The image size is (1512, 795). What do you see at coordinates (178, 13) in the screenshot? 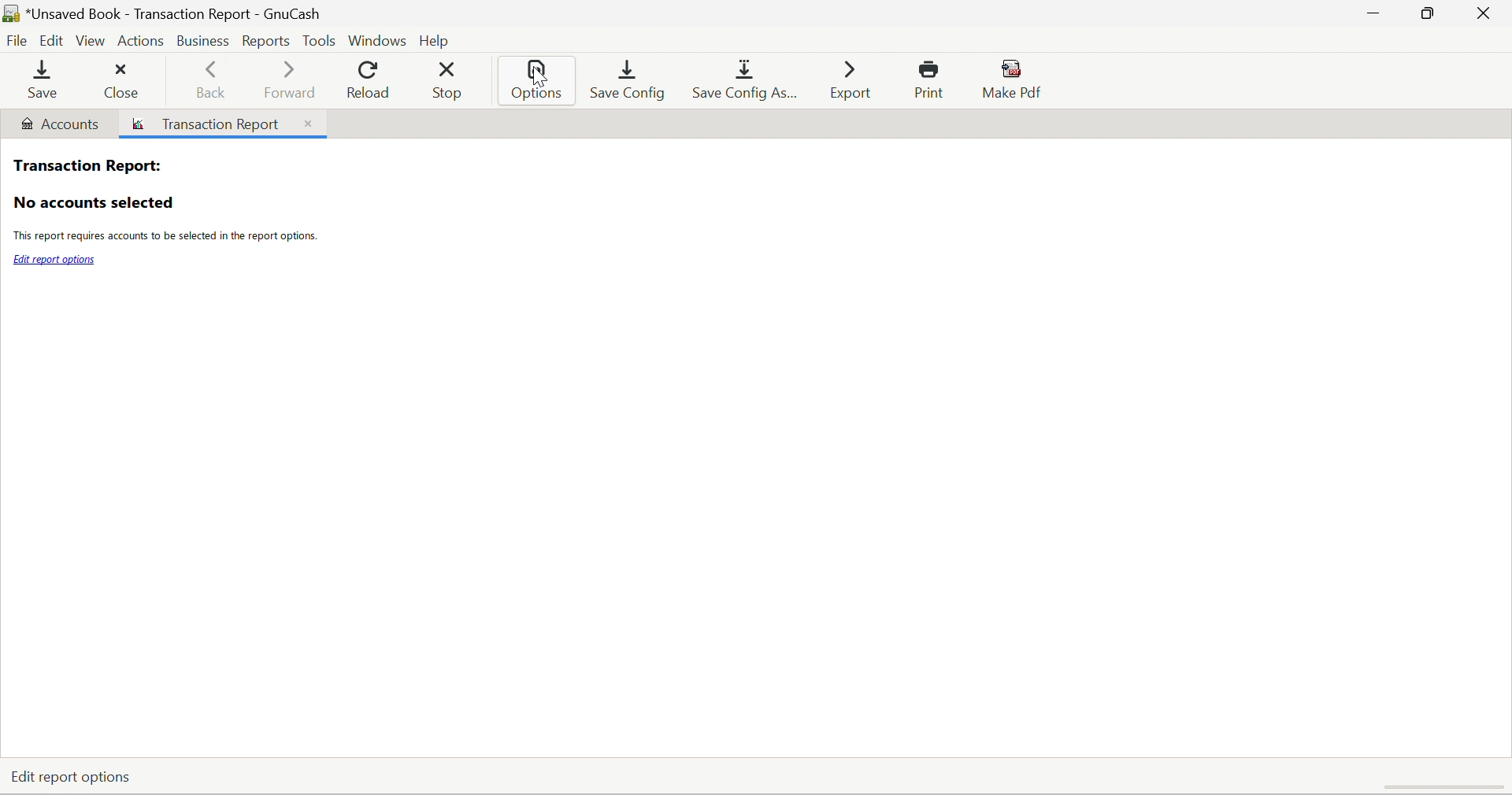
I see `*Untitled - Accounts - GnuCash` at bounding box center [178, 13].